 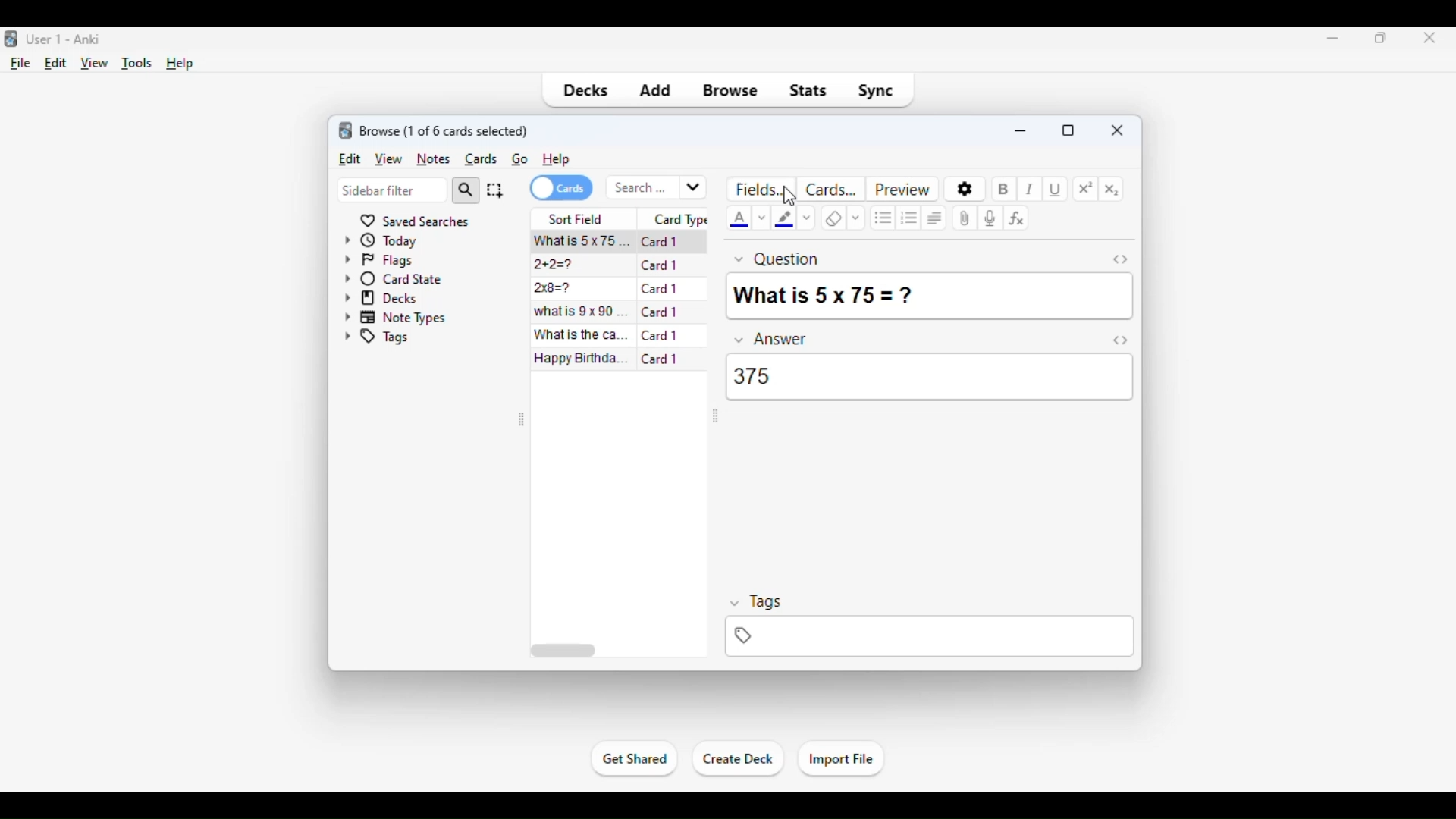 What do you see at coordinates (180, 64) in the screenshot?
I see `help` at bounding box center [180, 64].